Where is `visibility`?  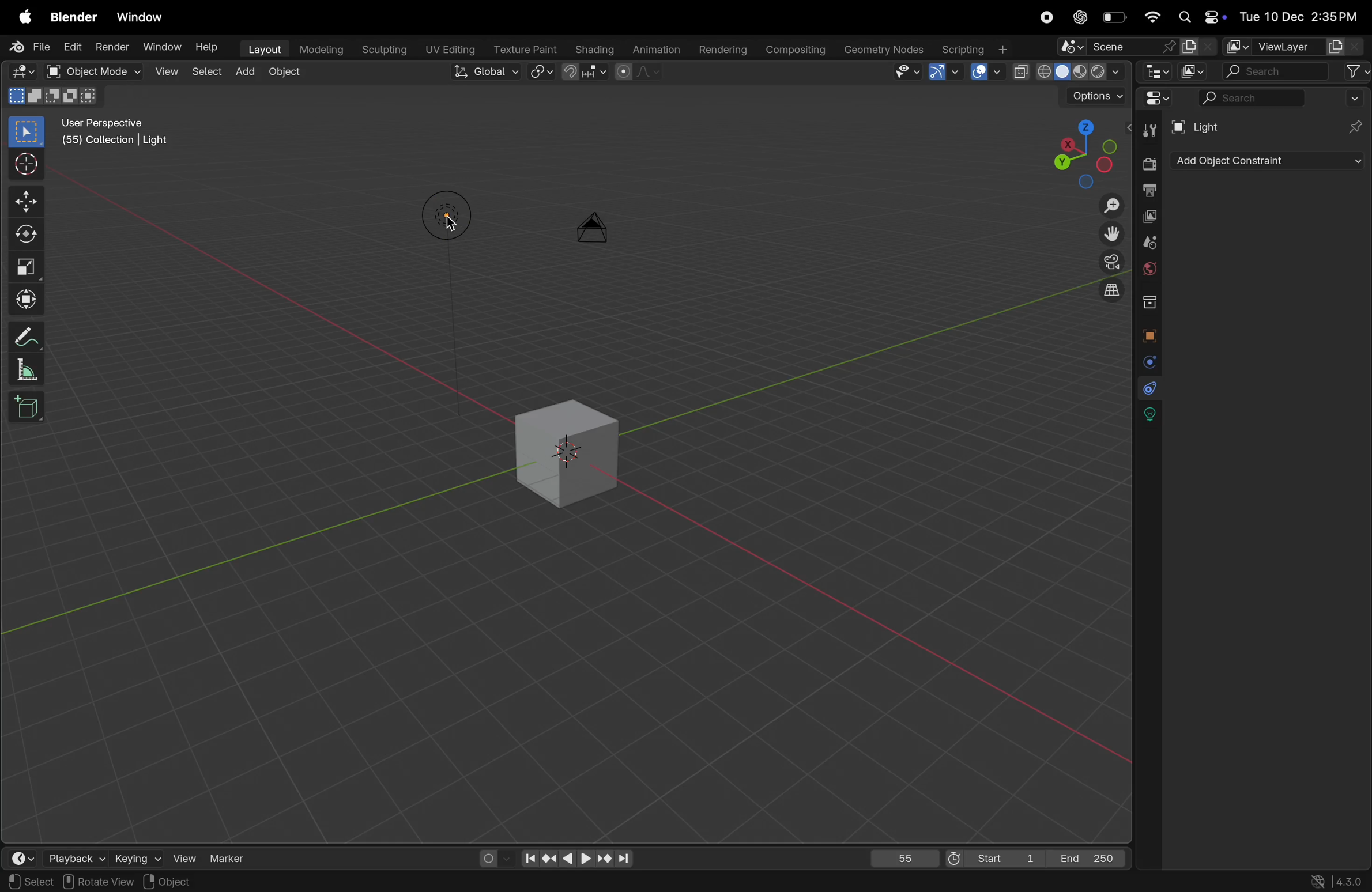
visibility is located at coordinates (903, 72).